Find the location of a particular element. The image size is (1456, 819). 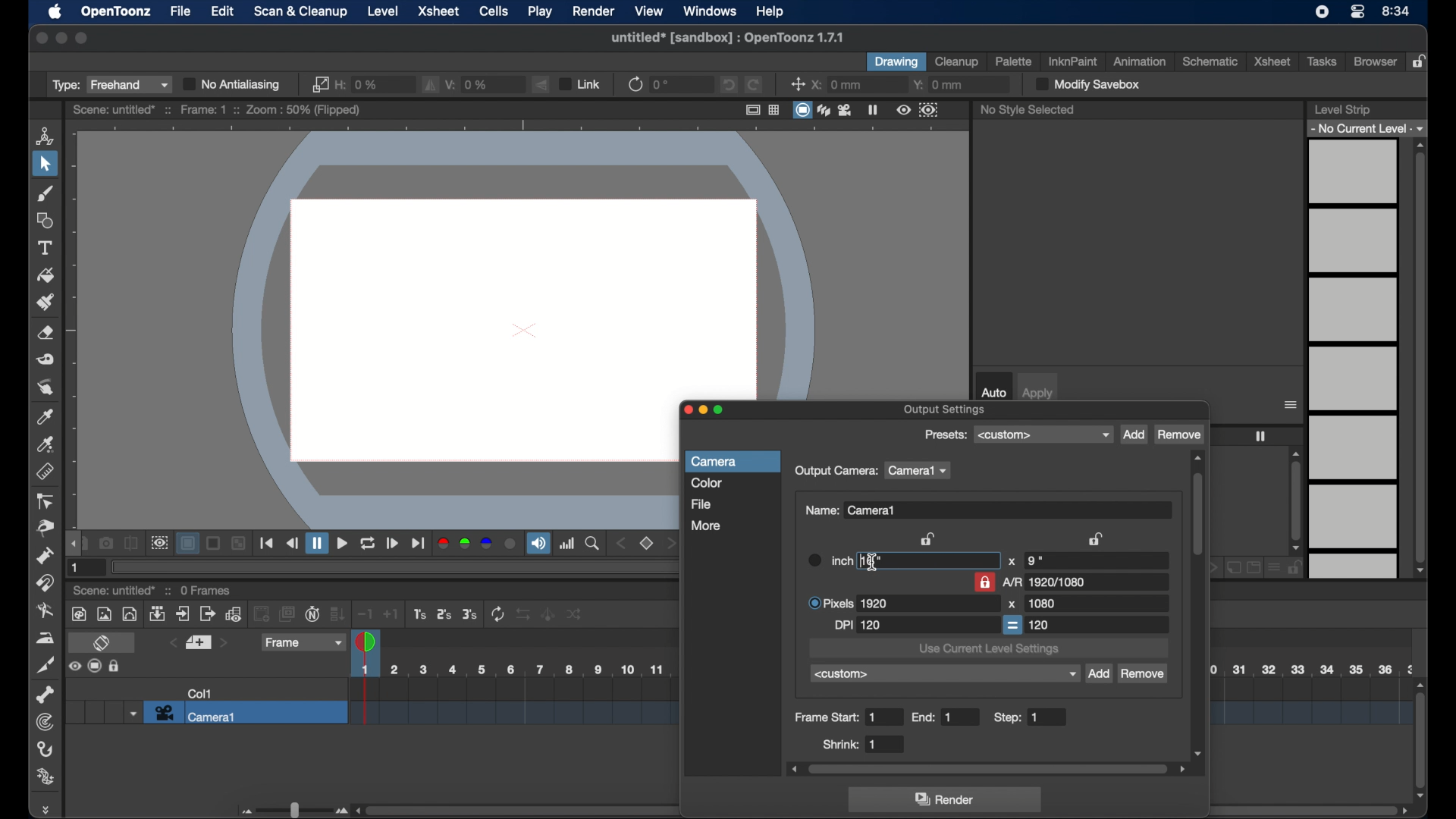

blender tool is located at coordinates (45, 611).